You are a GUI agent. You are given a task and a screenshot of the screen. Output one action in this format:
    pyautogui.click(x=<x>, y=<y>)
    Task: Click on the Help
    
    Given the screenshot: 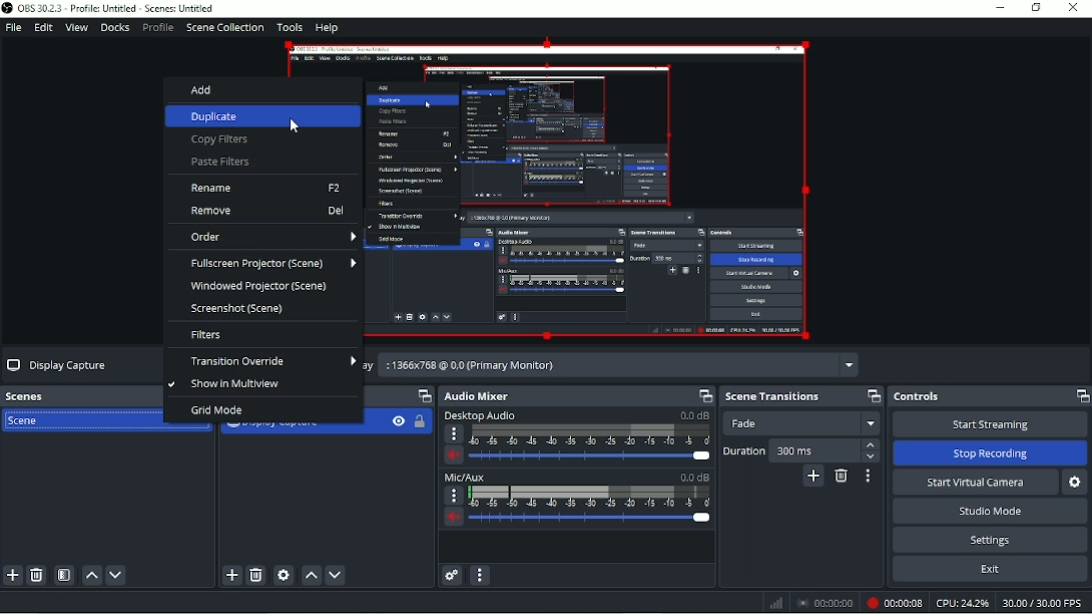 What is the action you would take?
    pyautogui.click(x=328, y=28)
    